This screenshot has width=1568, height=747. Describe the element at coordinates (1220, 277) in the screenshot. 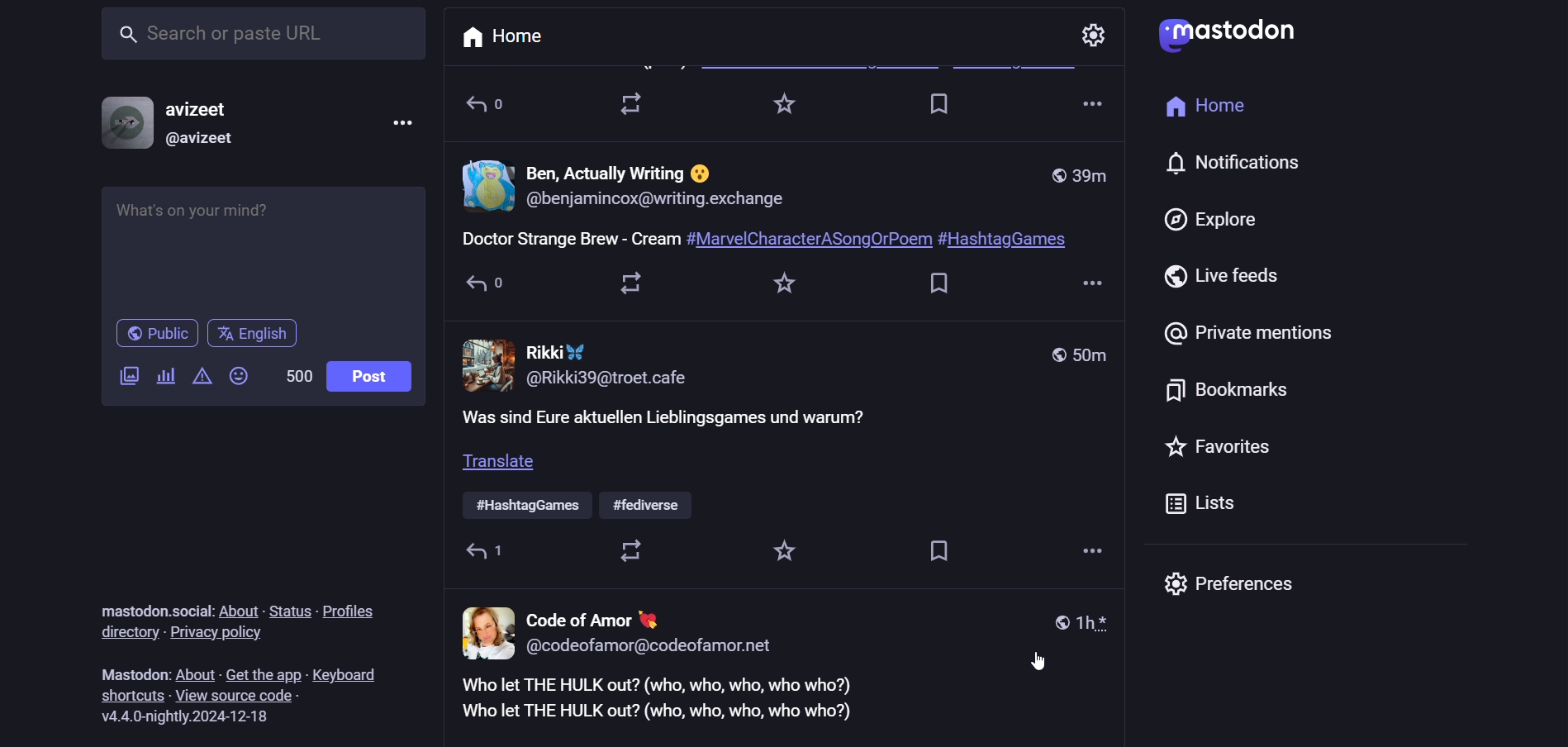

I see `live feeds` at that location.